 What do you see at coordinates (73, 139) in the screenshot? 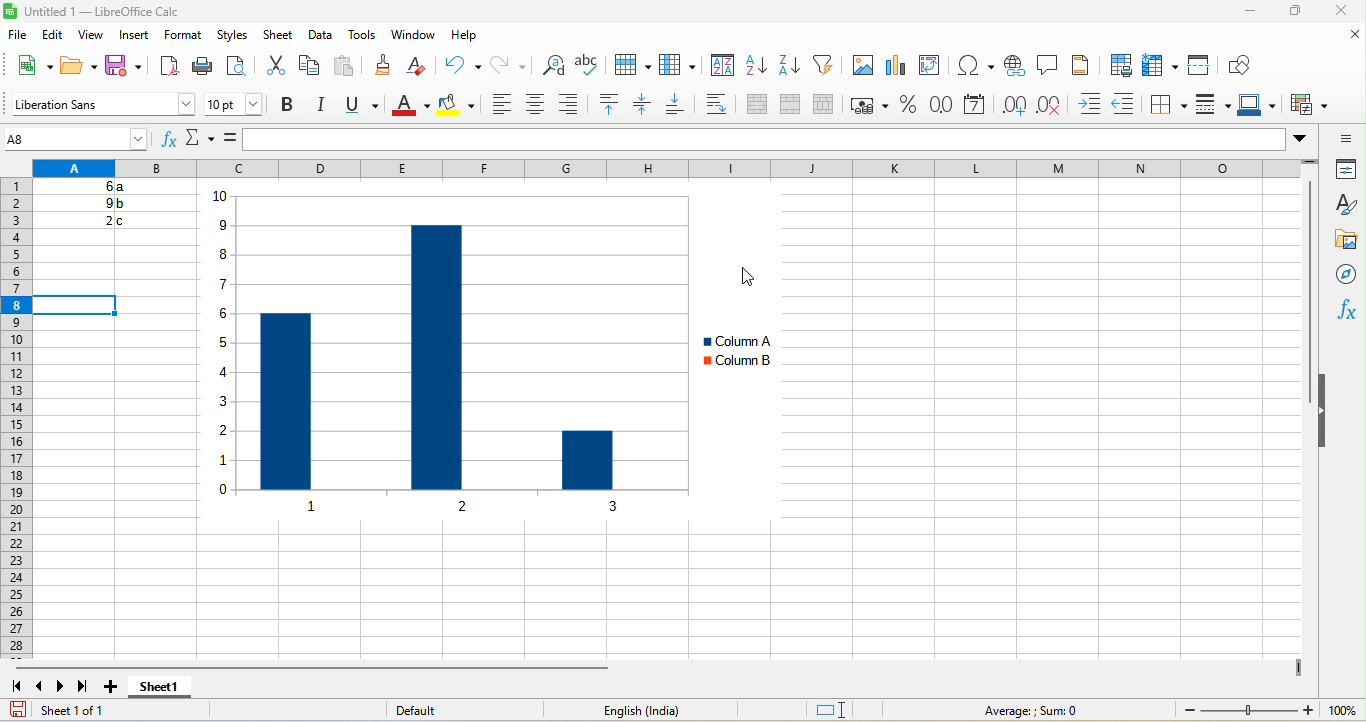
I see `A8` at bounding box center [73, 139].